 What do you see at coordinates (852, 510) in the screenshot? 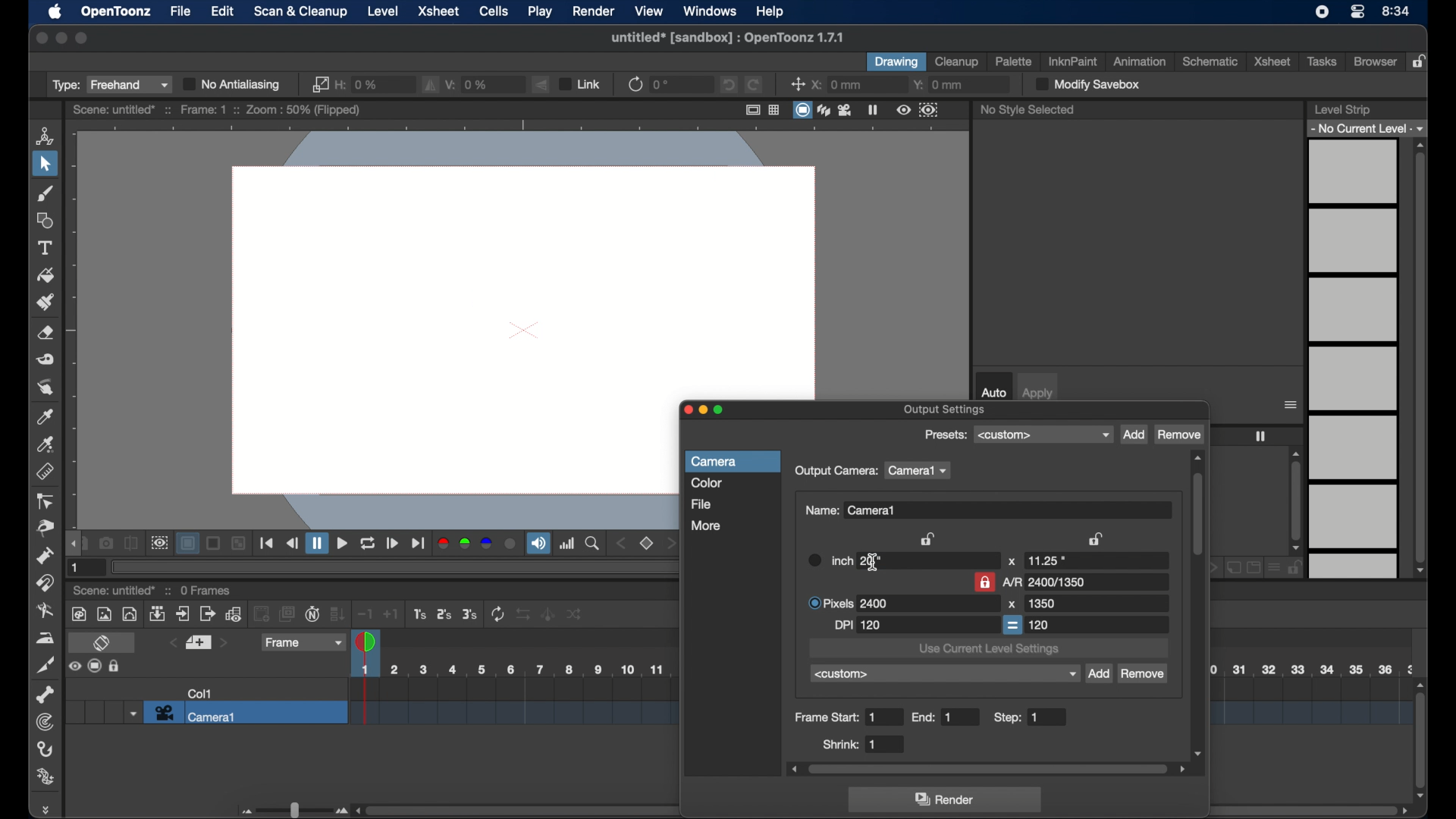
I see `name` at bounding box center [852, 510].